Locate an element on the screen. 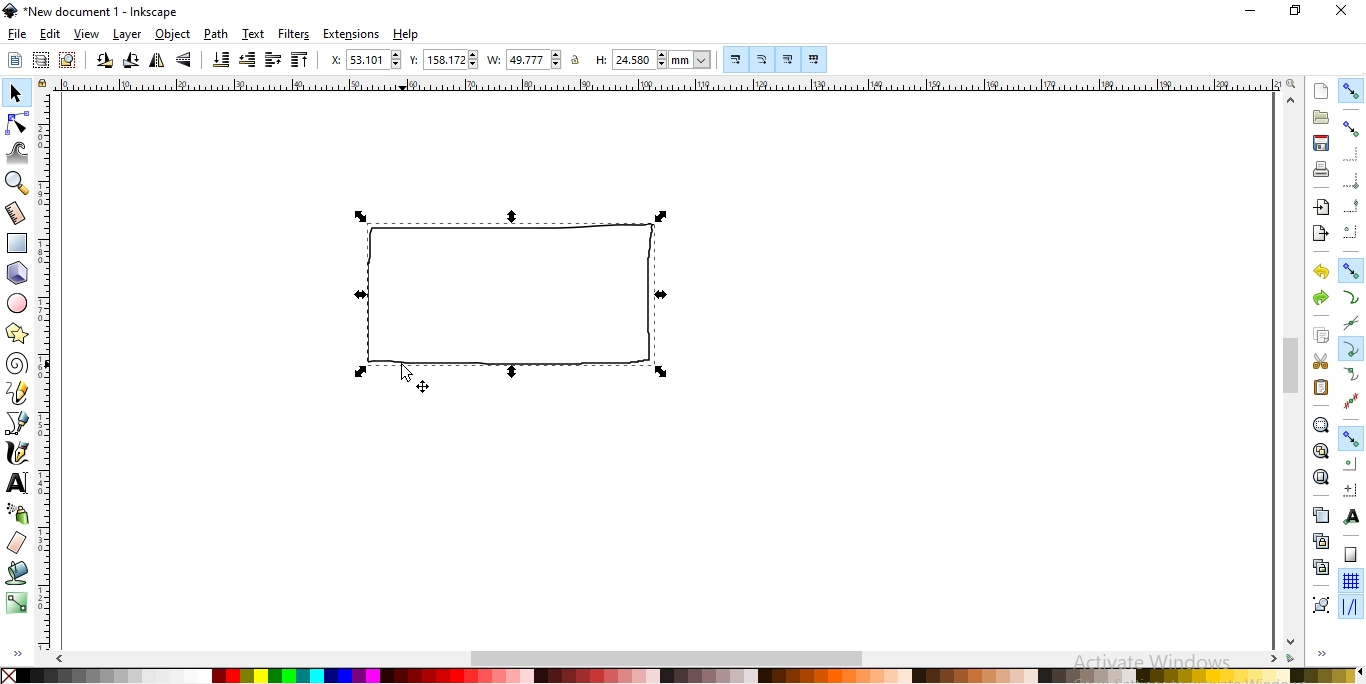  minimize is located at coordinates (1251, 12).